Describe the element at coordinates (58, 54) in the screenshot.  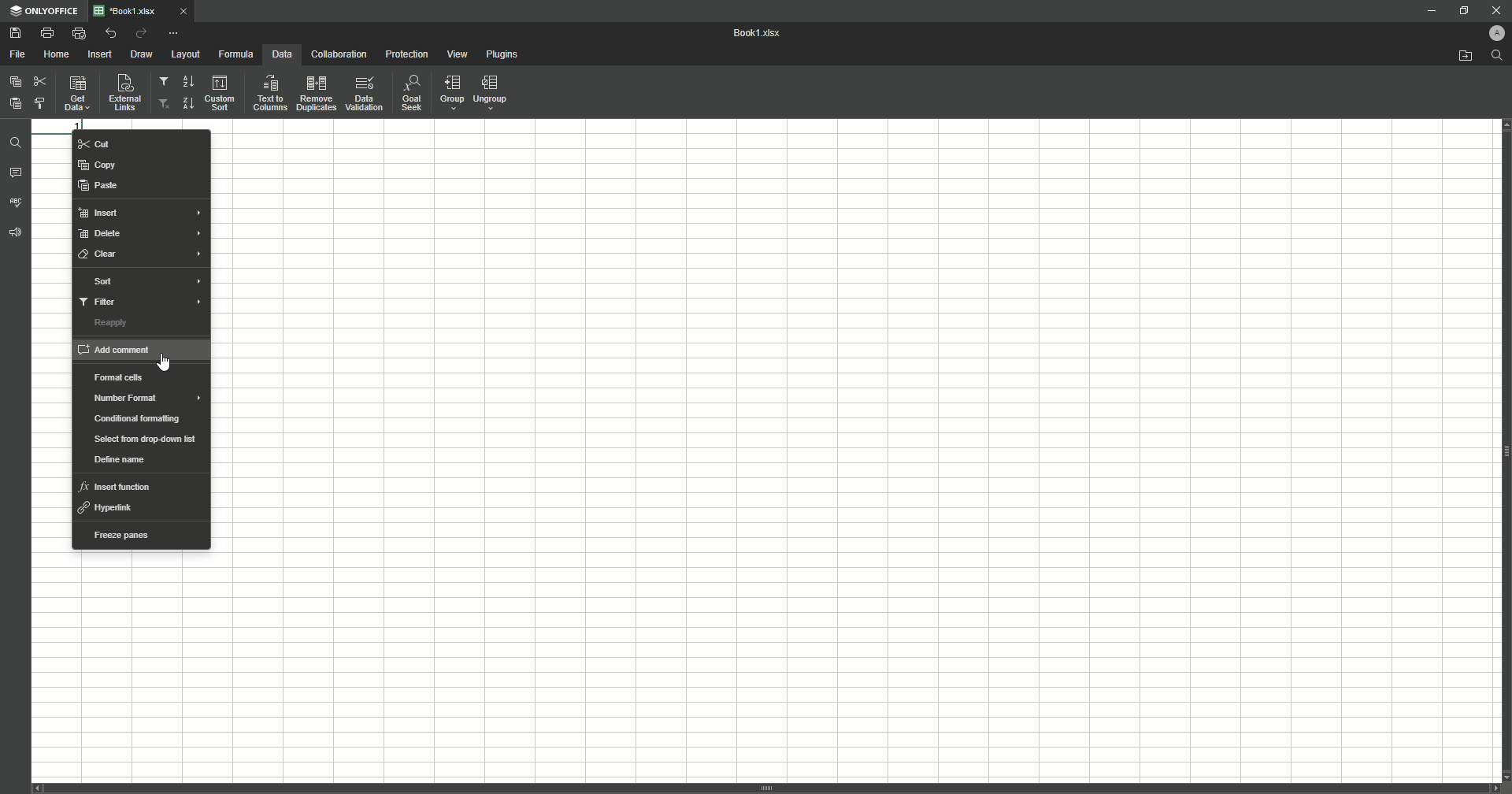
I see `Home` at that location.